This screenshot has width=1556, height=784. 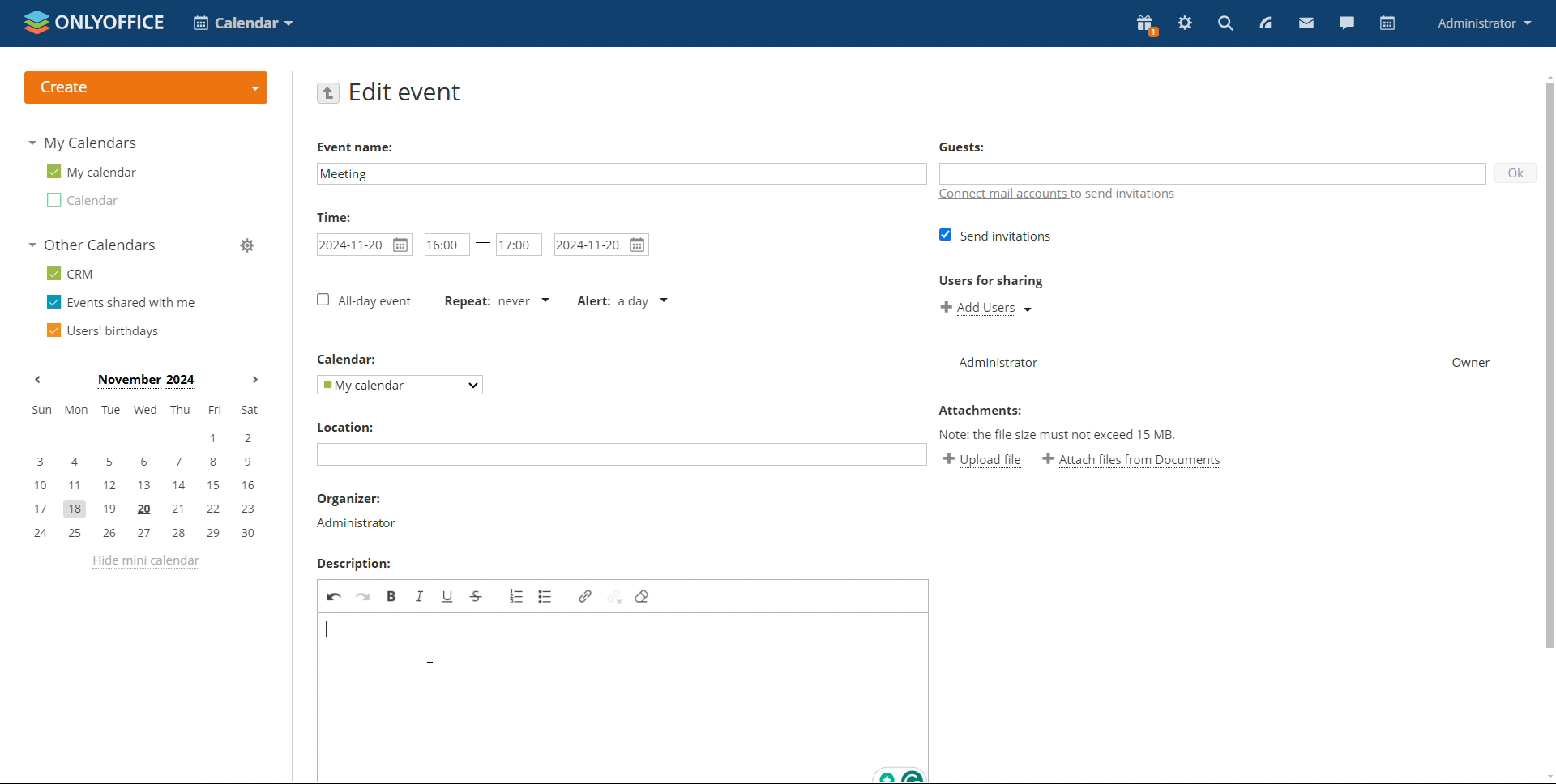 I want to click on remove format, so click(x=643, y=596).